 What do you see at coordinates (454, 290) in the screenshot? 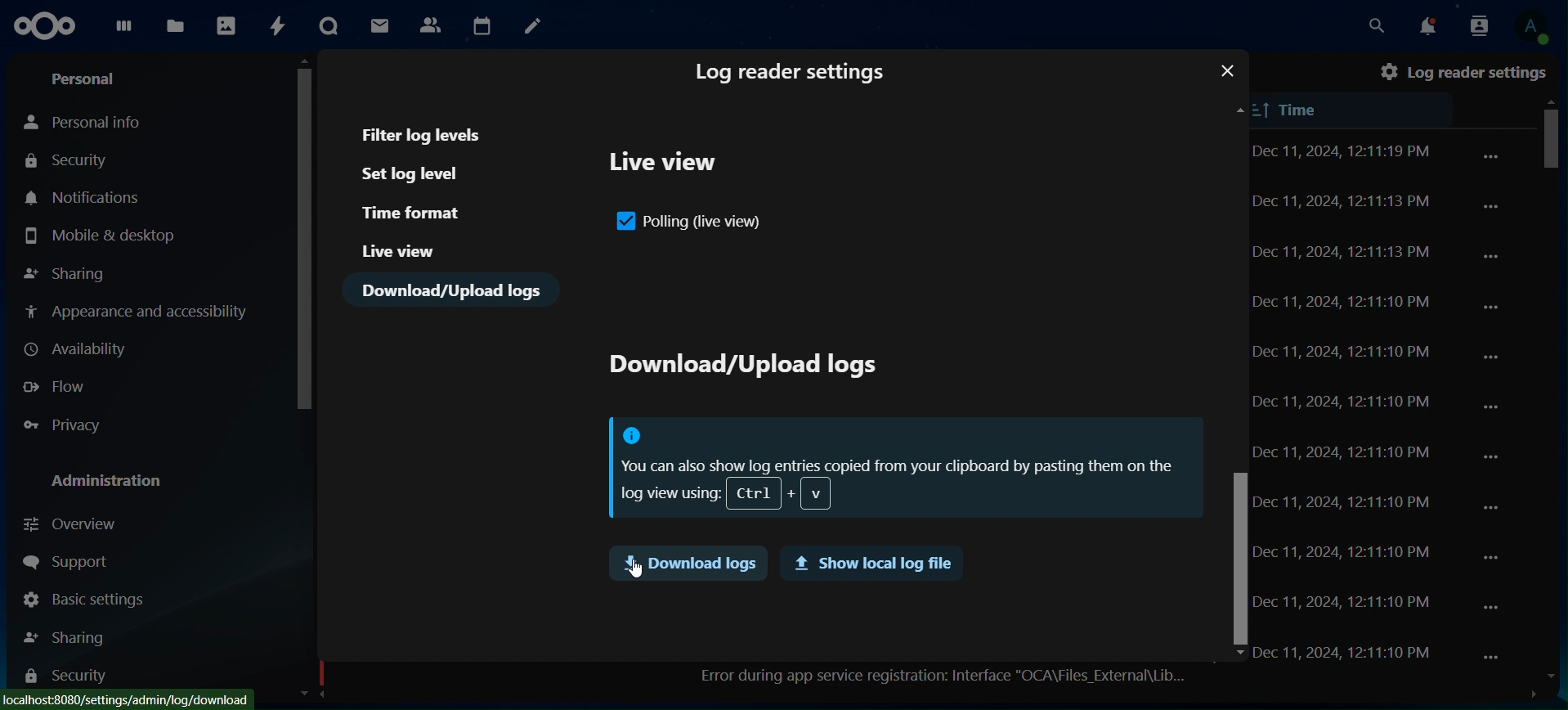
I see `download/Upload logs` at bounding box center [454, 290].